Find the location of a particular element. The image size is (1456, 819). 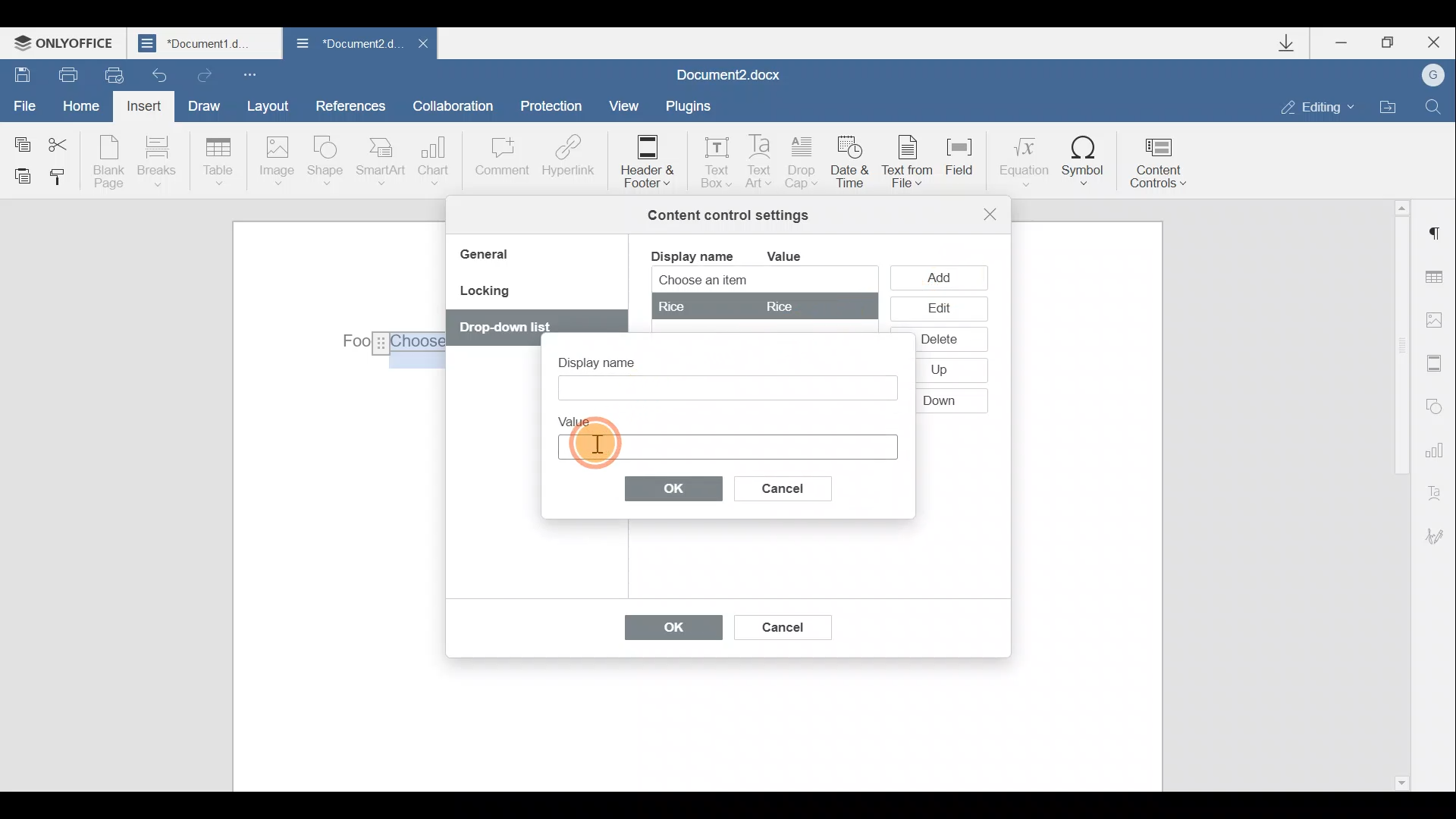

 is located at coordinates (941, 398).